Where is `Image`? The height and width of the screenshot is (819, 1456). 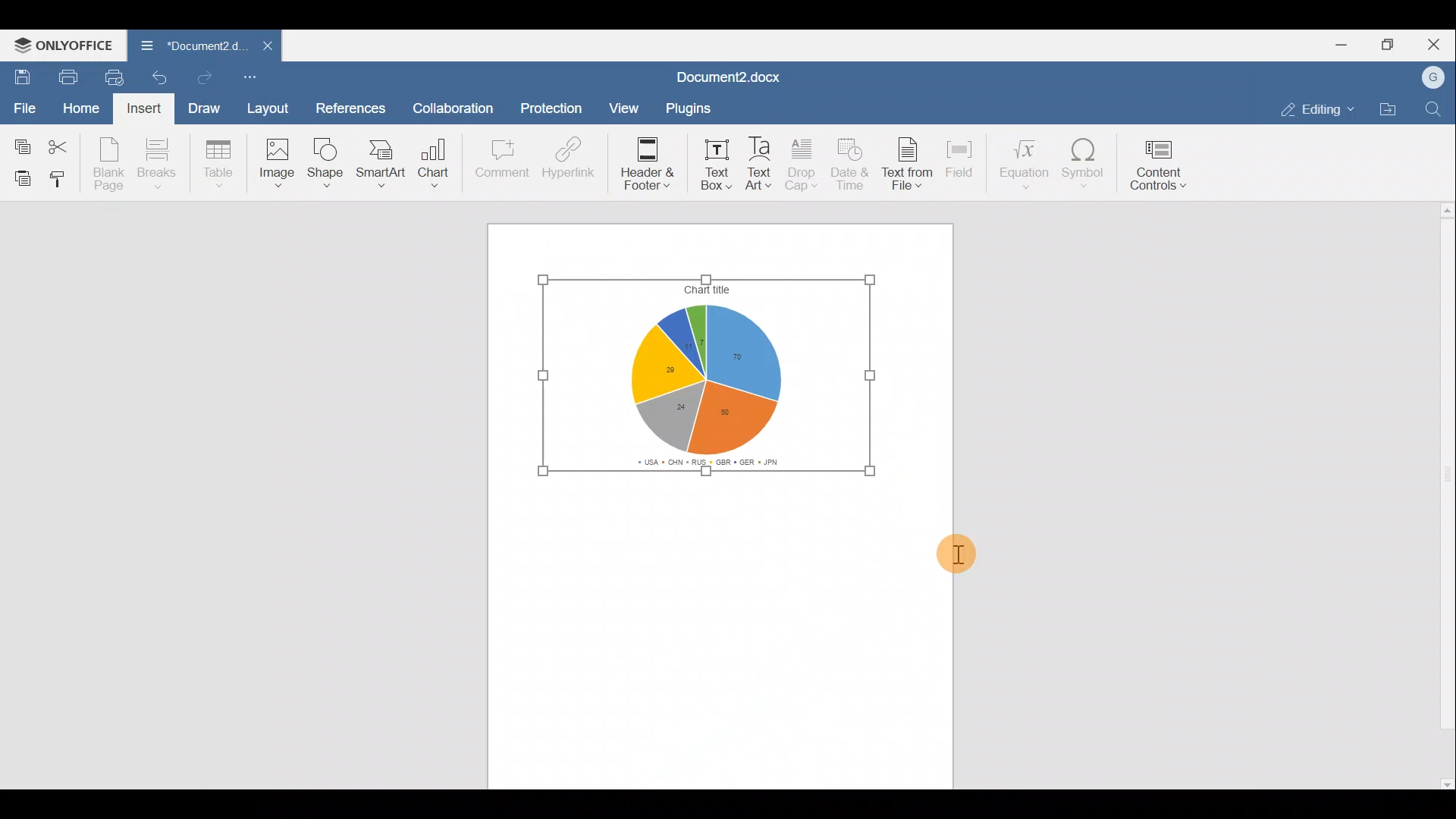 Image is located at coordinates (275, 163).